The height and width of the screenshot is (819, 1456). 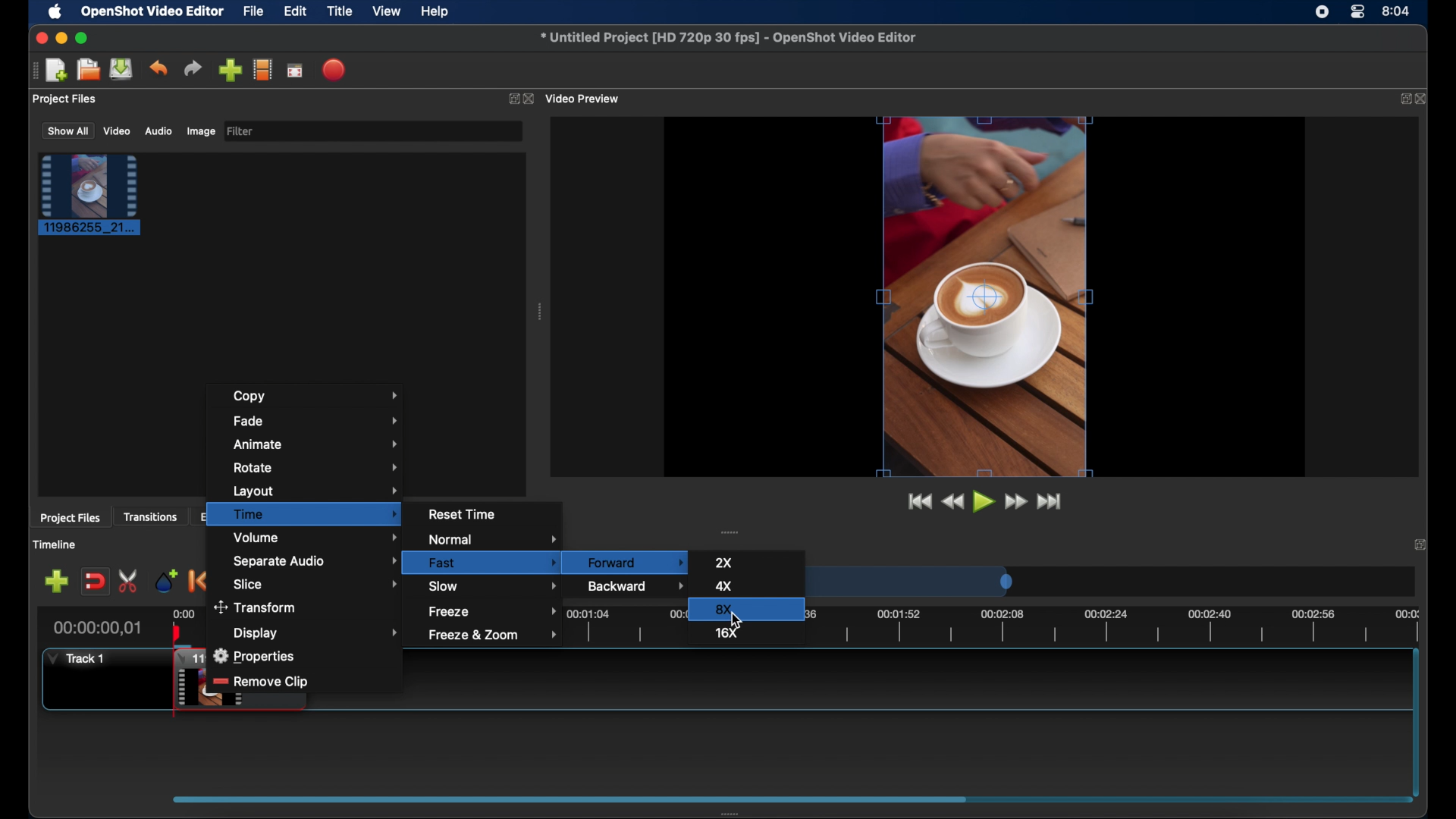 What do you see at coordinates (512, 99) in the screenshot?
I see `expand` at bounding box center [512, 99].